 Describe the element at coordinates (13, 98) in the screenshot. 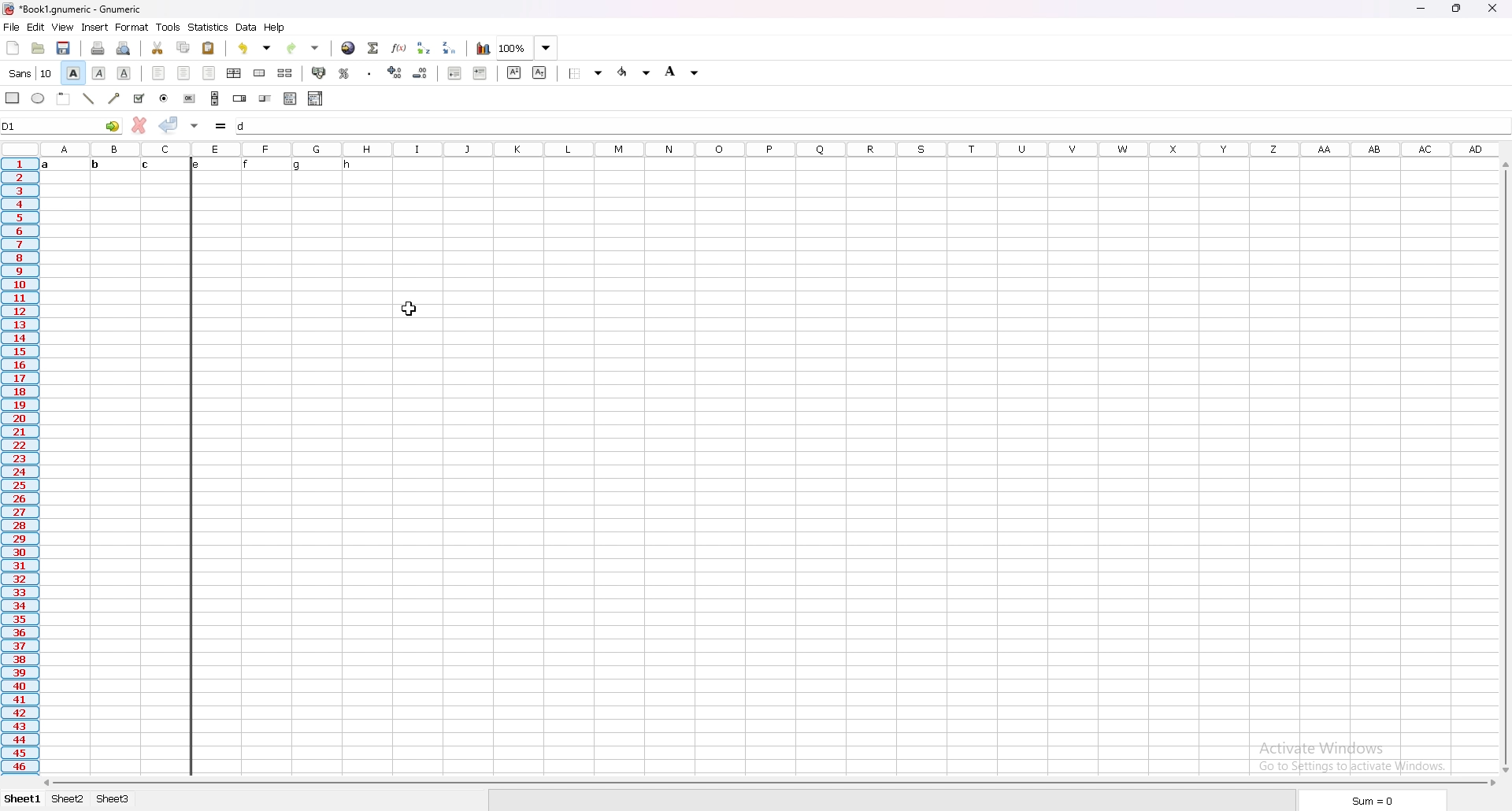

I see `rectangle` at that location.